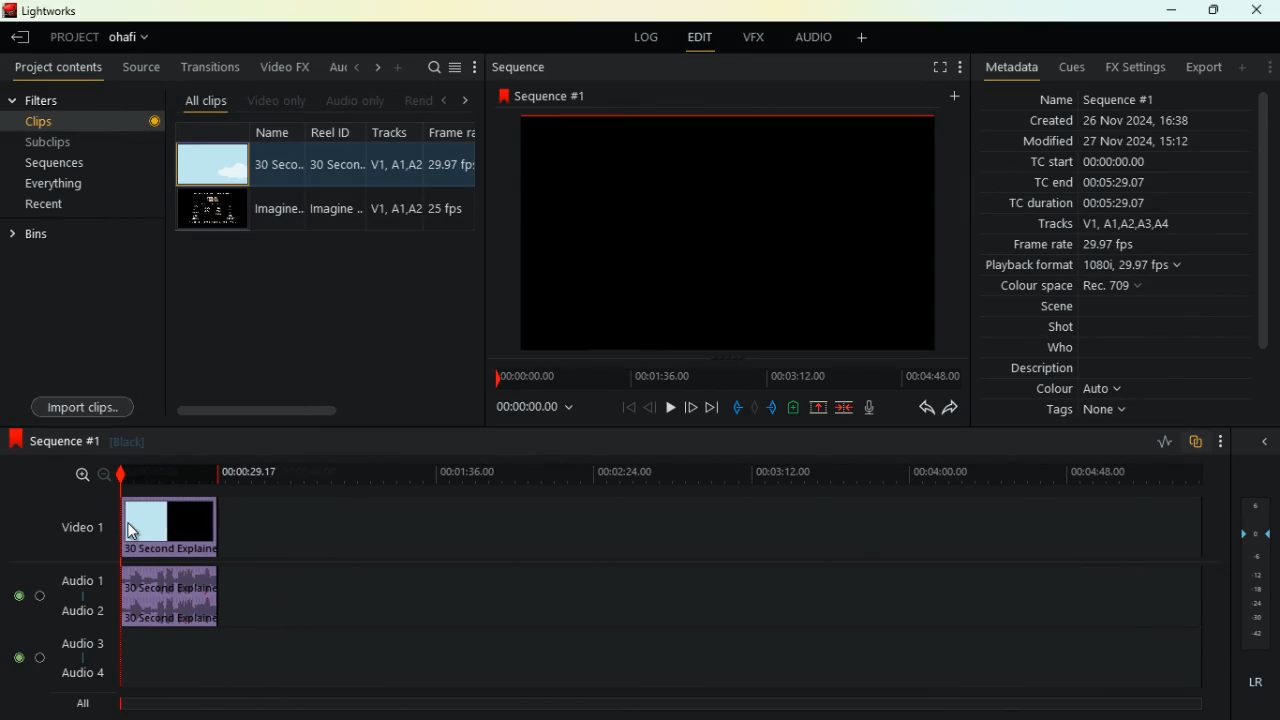 This screenshot has height=720, width=1280. I want to click on close, so click(1257, 10).